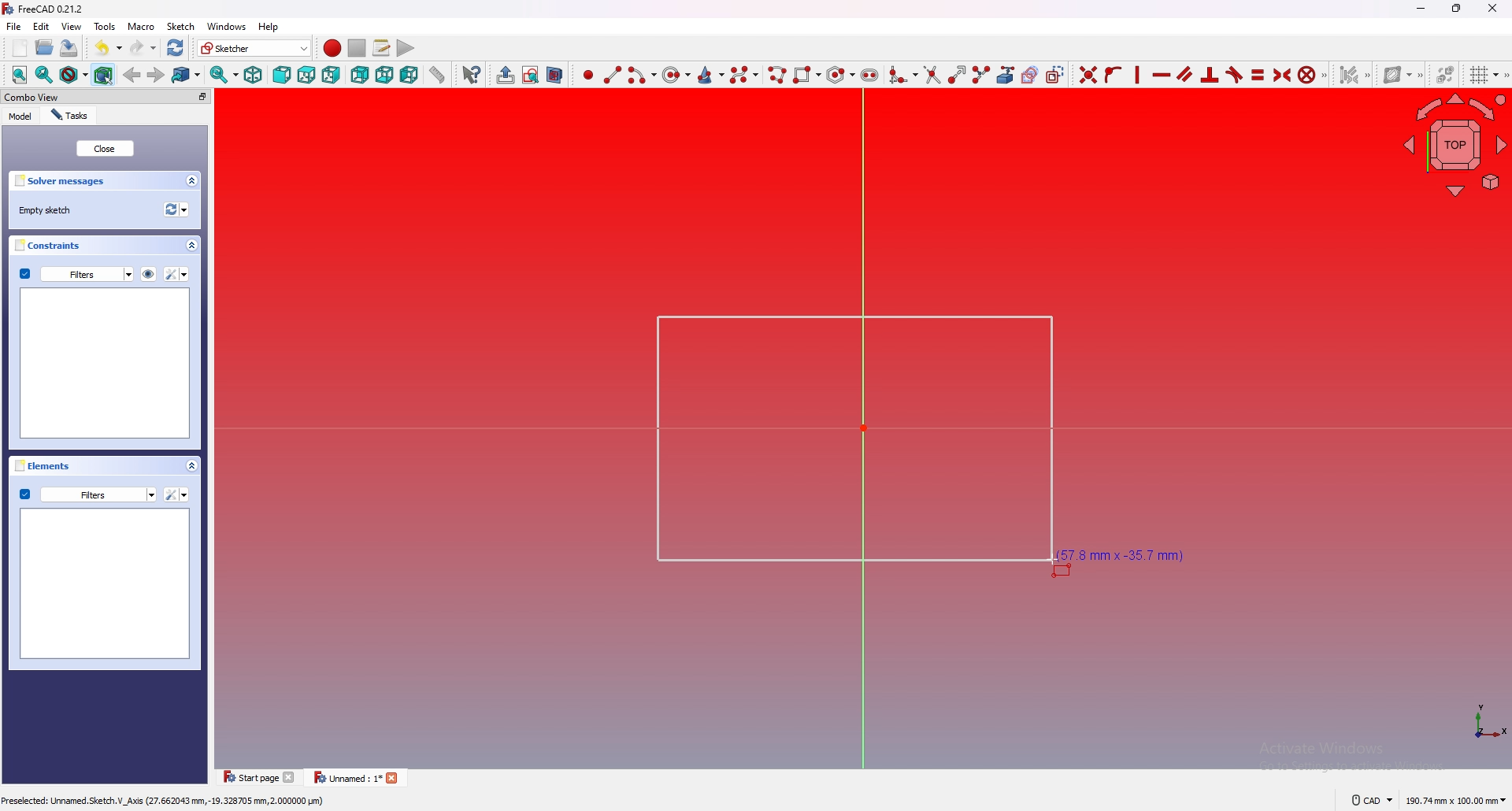 This screenshot has width=1512, height=811. I want to click on close, so click(1489, 9).